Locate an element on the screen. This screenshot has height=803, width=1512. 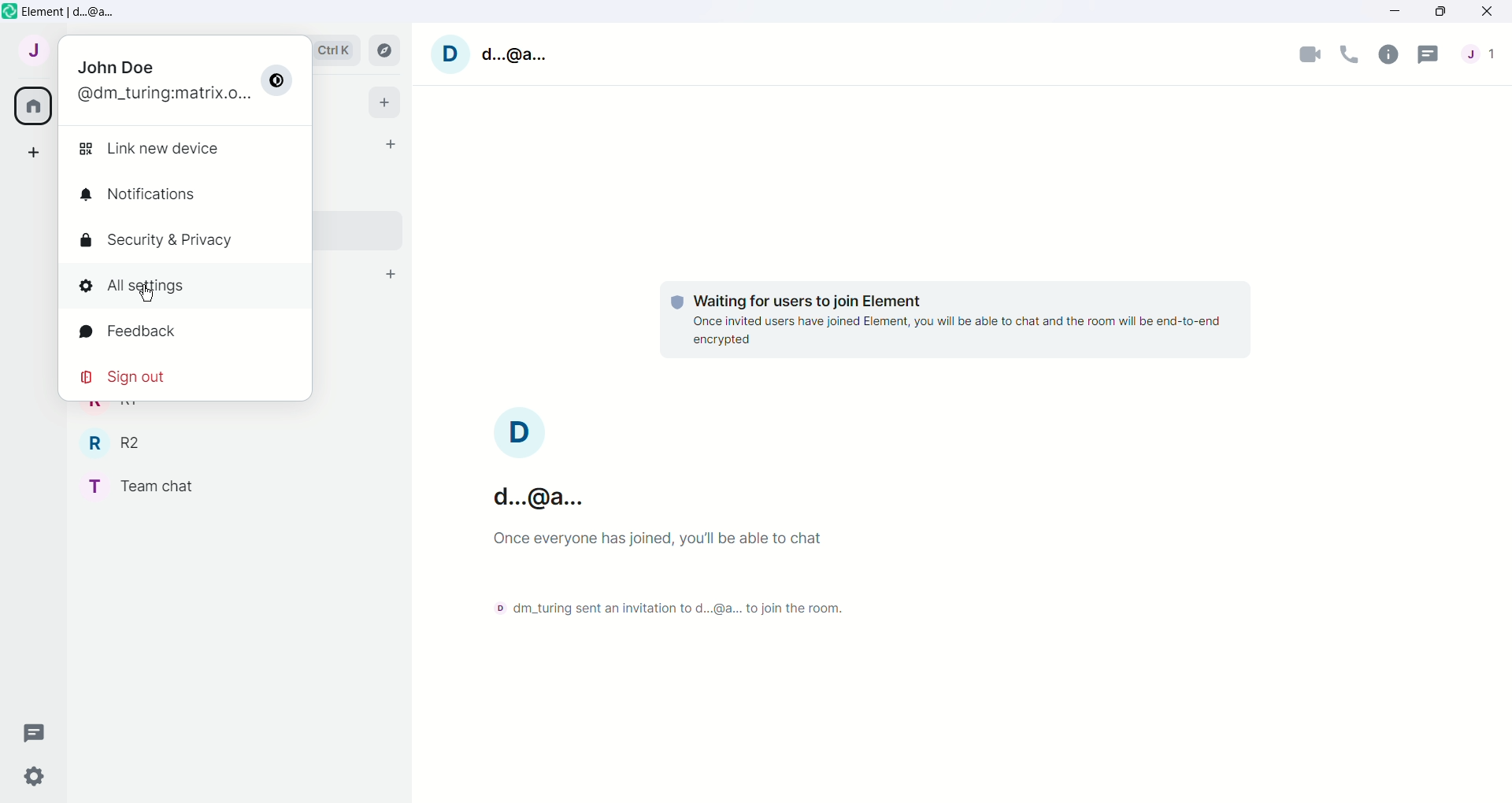
Quick Settings is located at coordinates (34, 777).